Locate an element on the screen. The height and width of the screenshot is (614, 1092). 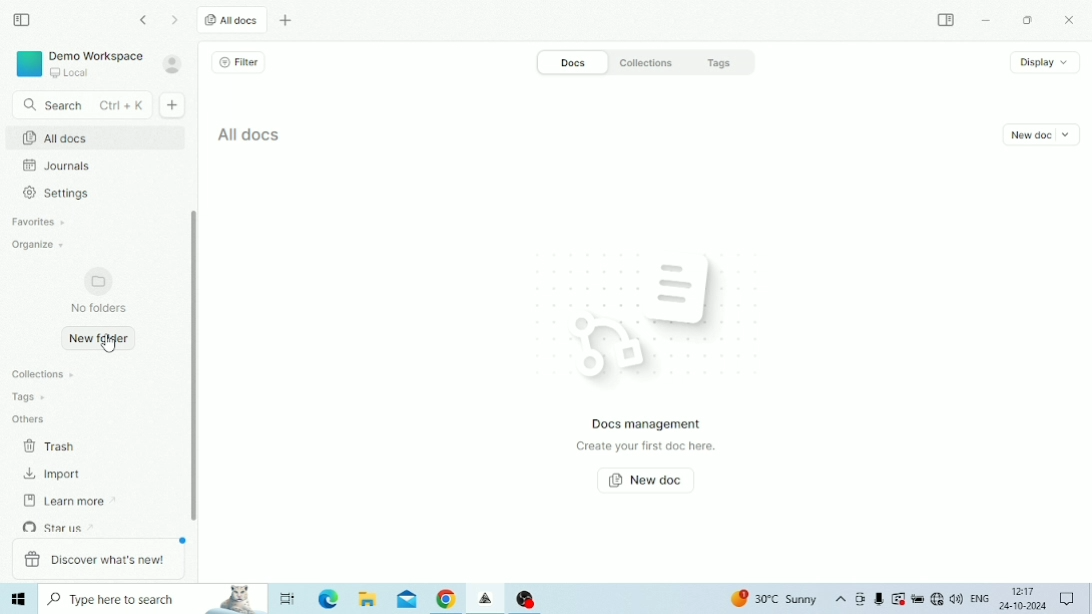
New doc is located at coordinates (648, 481).